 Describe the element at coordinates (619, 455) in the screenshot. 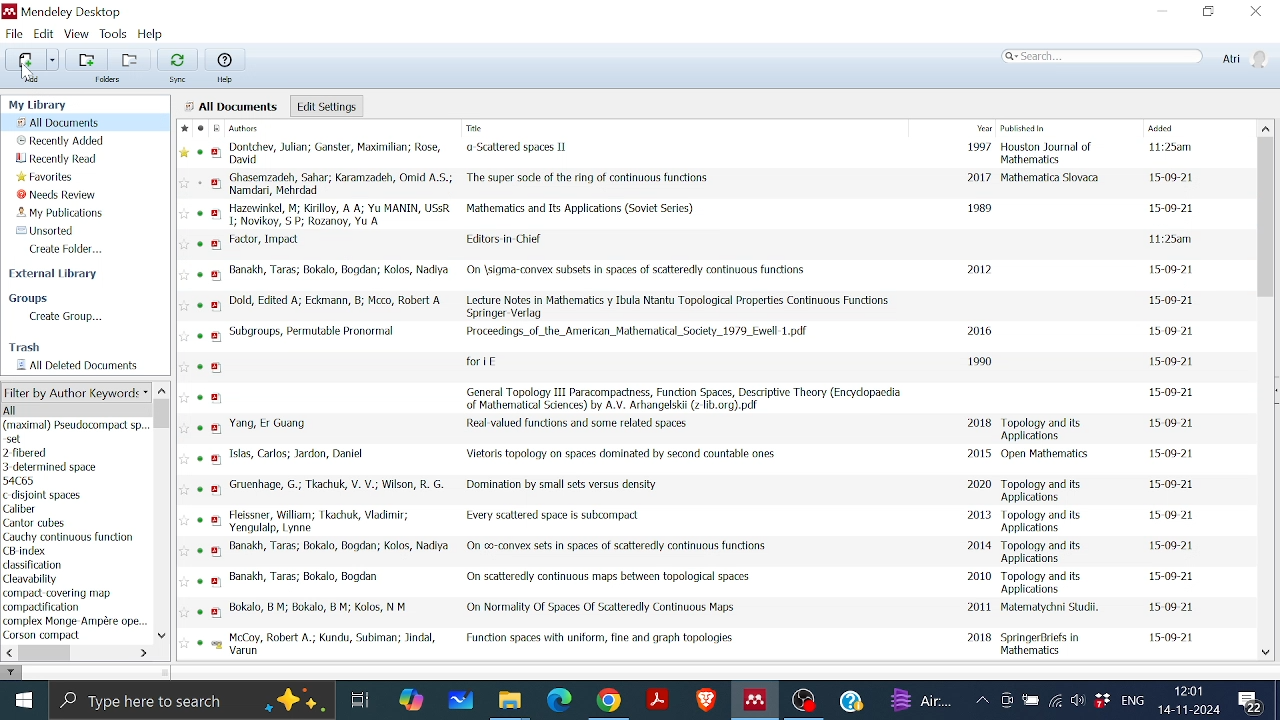

I see `Title` at that location.